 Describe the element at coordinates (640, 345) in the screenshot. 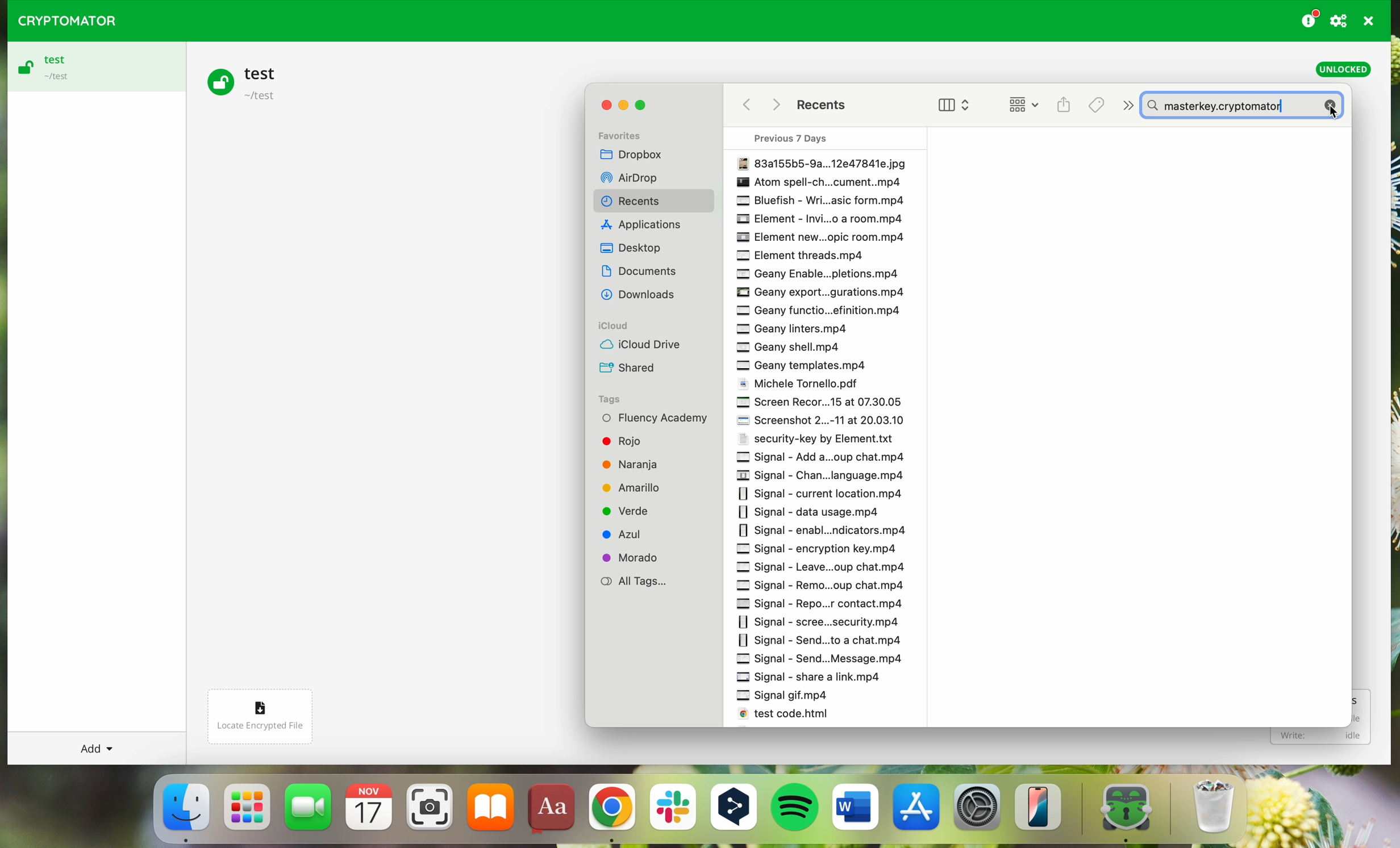

I see `iCloud Drive` at that location.